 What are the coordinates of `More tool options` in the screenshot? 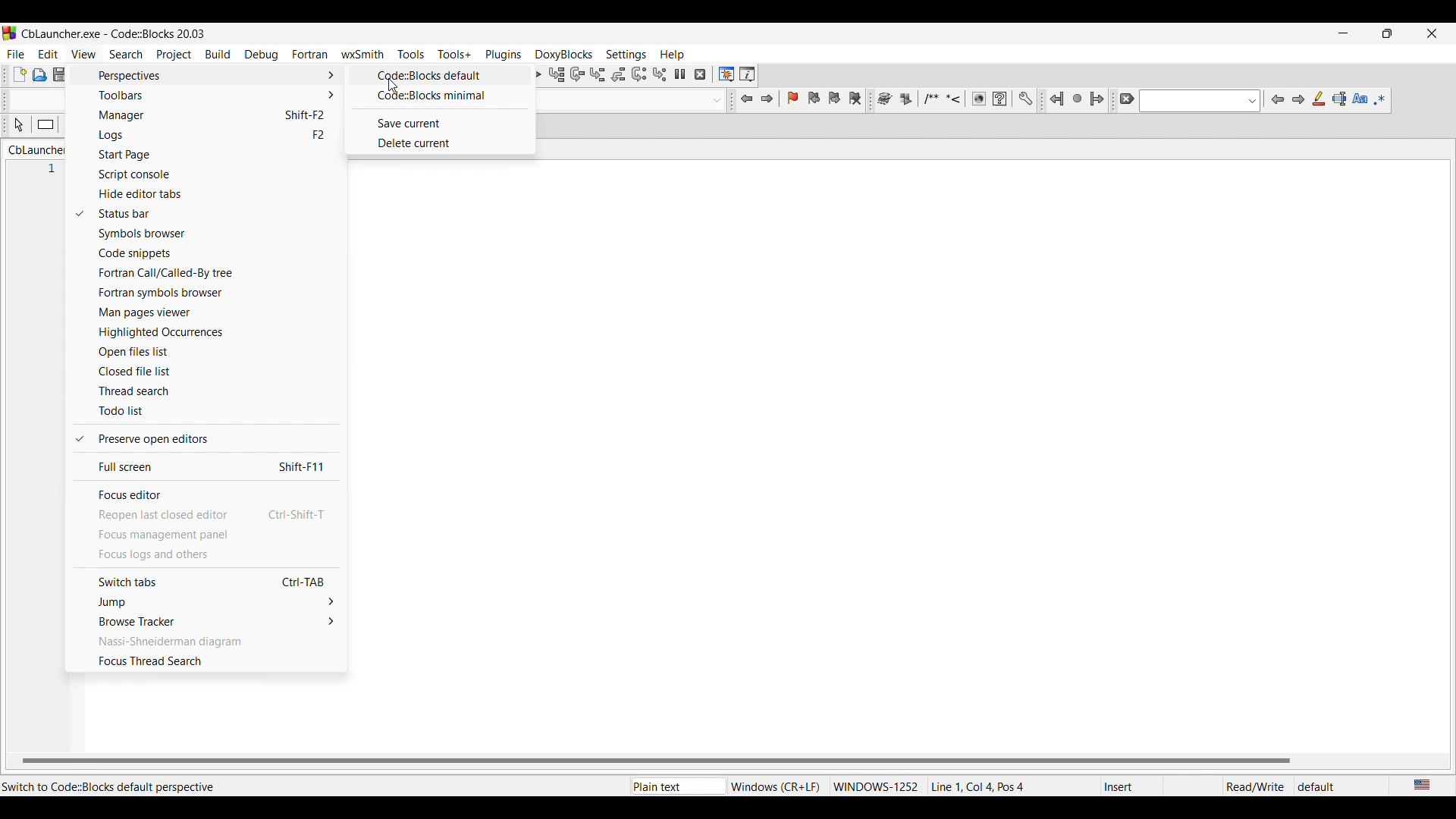 It's located at (955, 99).